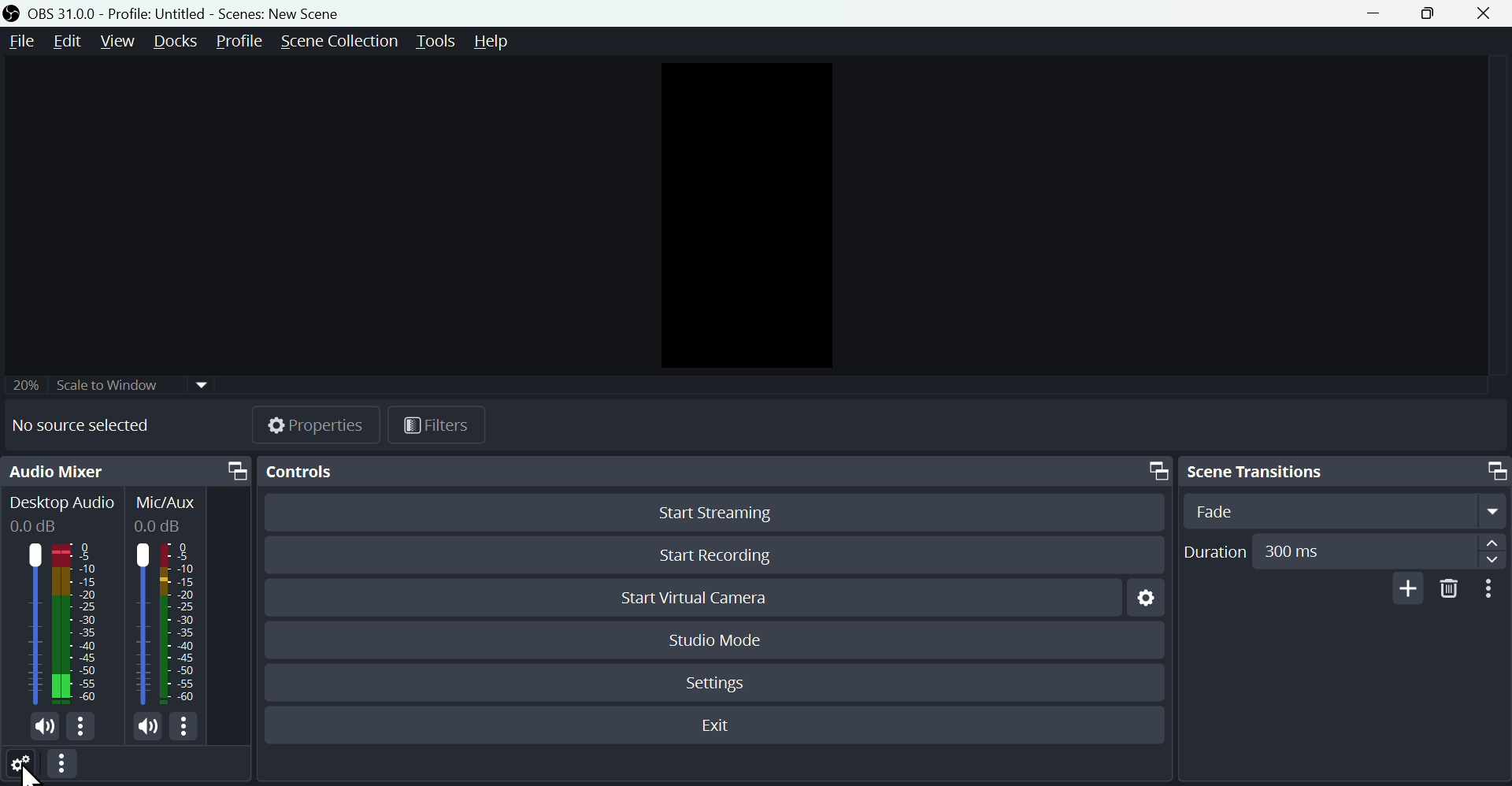 The image size is (1512, 786). What do you see at coordinates (1342, 553) in the screenshot?
I see `Duration` at bounding box center [1342, 553].